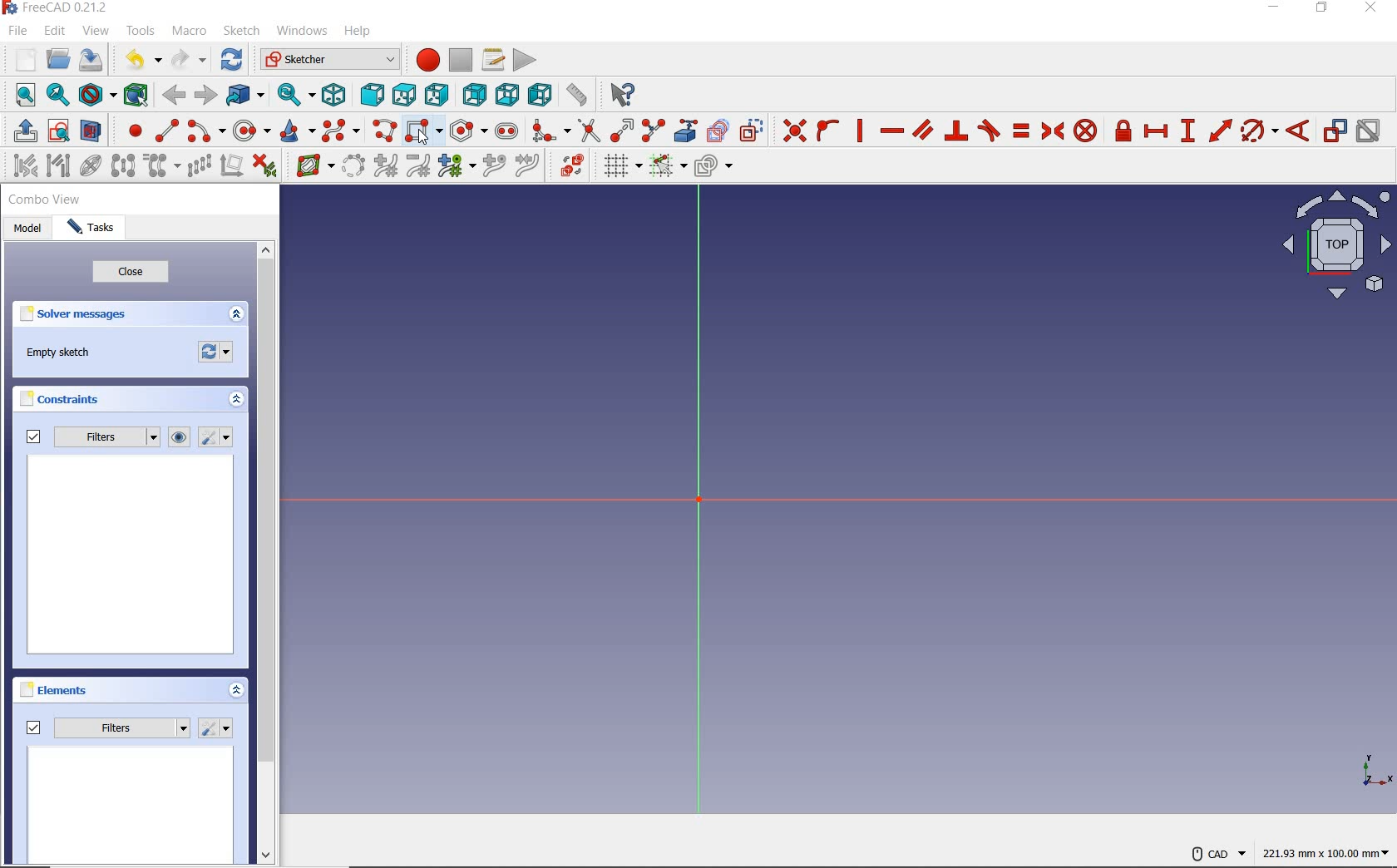 This screenshot has width=1397, height=868. I want to click on constrain horizontal ditance, so click(1158, 131).